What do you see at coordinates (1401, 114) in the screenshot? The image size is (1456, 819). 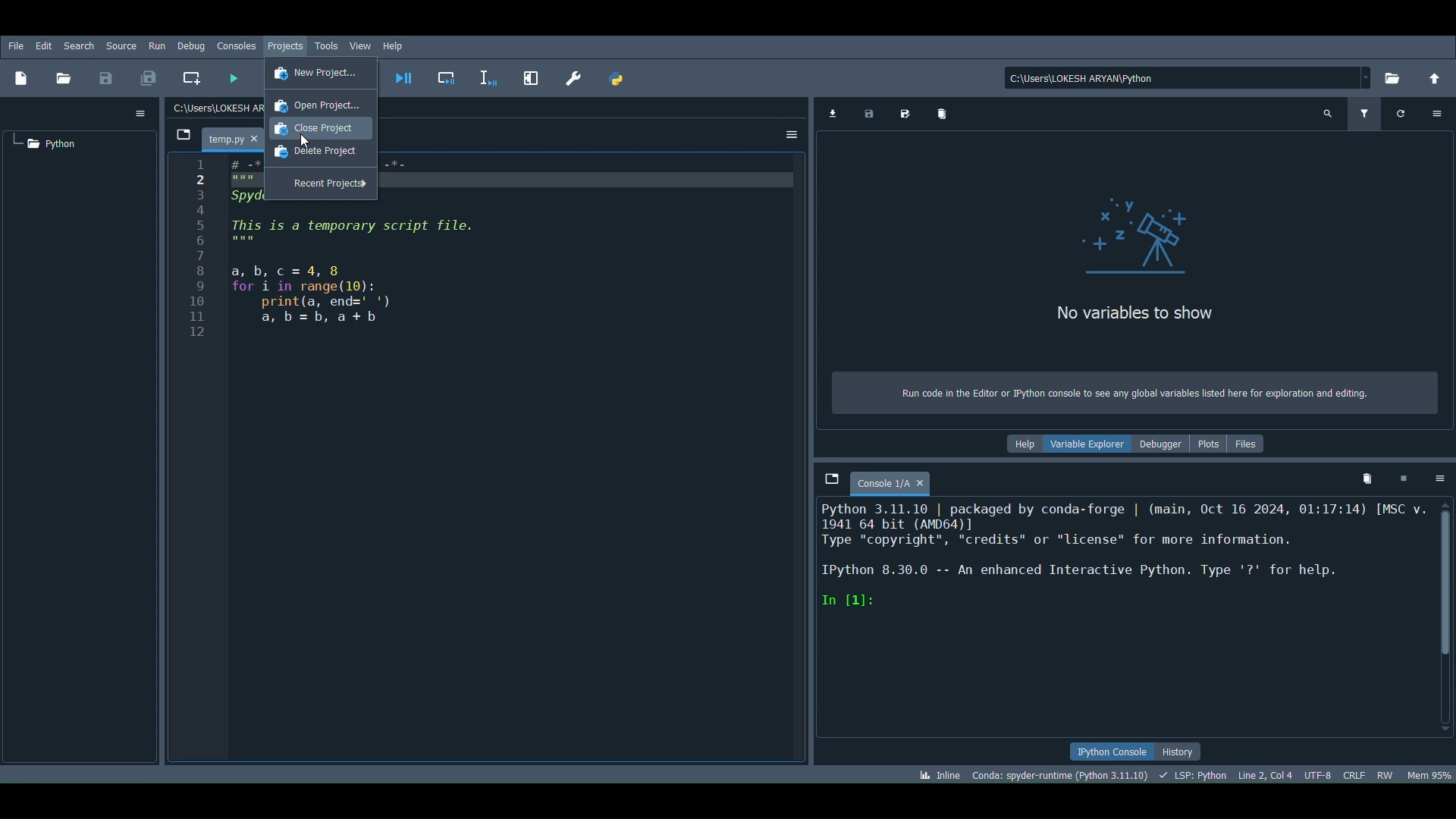 I see `Refresh variables (Ctrl + R)` at bounding box center [1401, 114].